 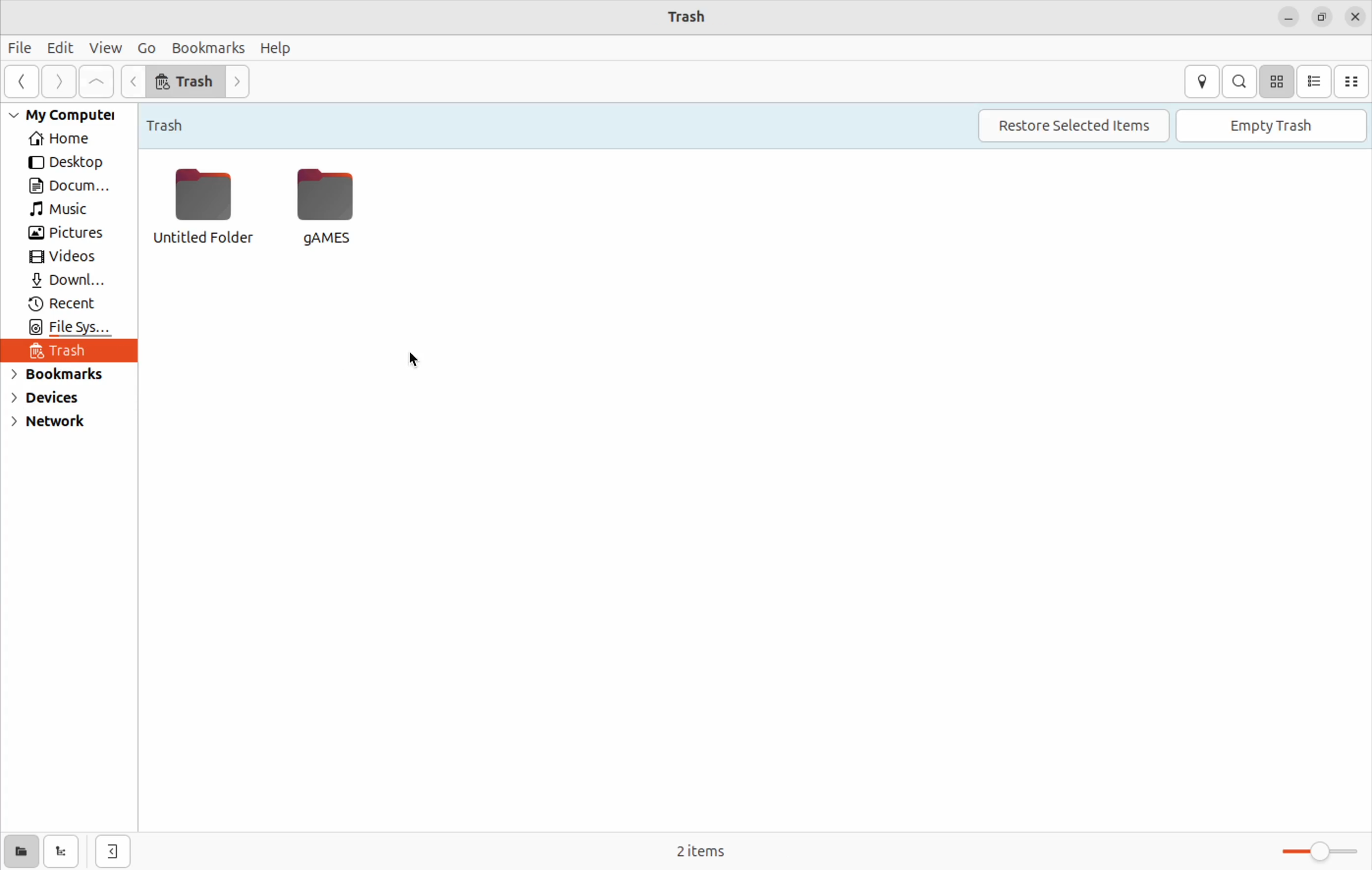 What do you see at coordinates (145, 47) in the screenshot?
I see `Go` at bounding box center [145, 47].